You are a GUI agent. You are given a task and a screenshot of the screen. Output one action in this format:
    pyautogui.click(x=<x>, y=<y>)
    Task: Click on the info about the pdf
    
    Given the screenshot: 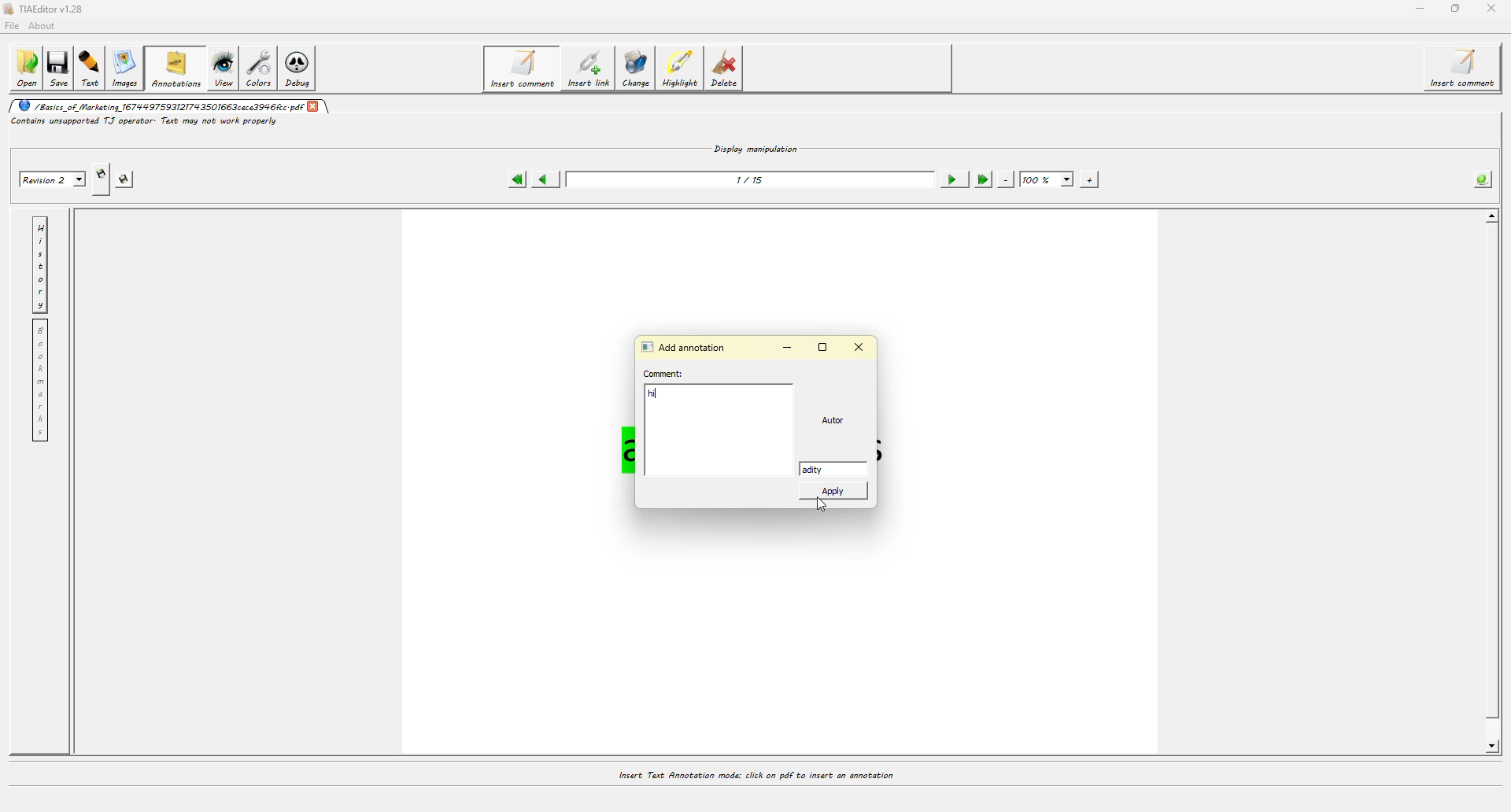 What is the action you would take?
    pyautogui.click(x=1480, y=180)
    